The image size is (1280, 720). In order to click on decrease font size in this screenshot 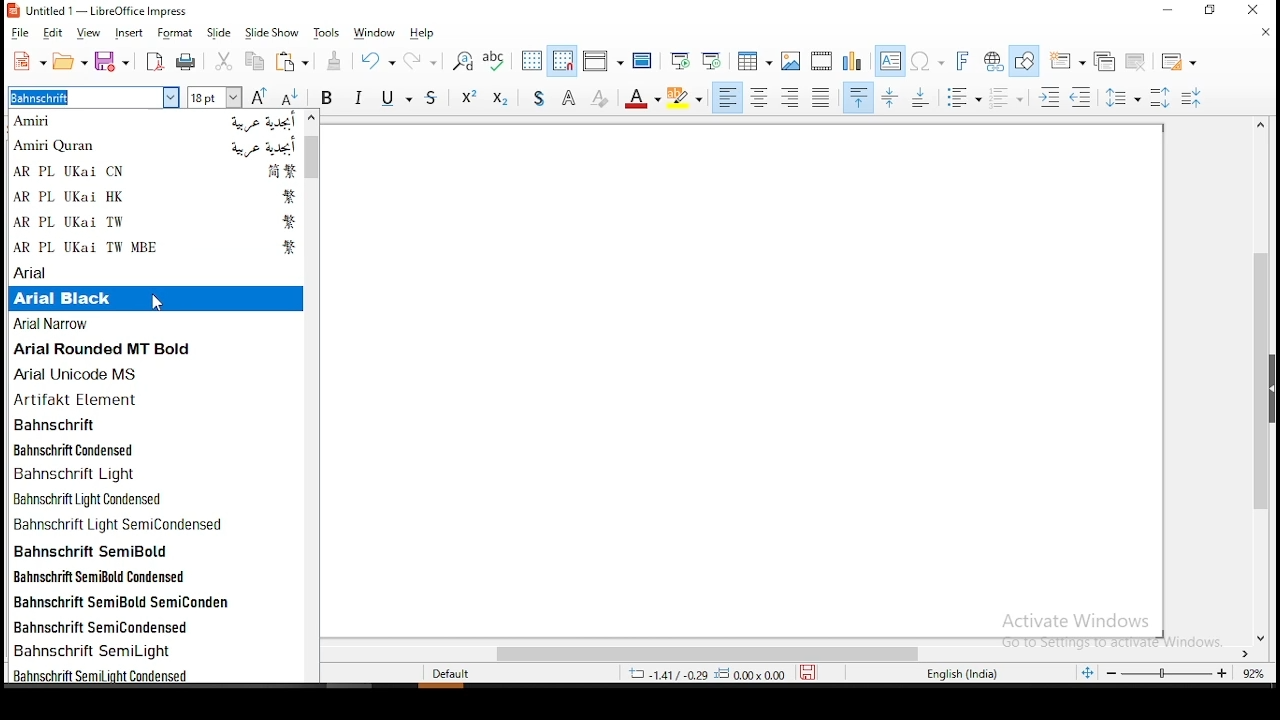, I will do `click(288, 98)`.